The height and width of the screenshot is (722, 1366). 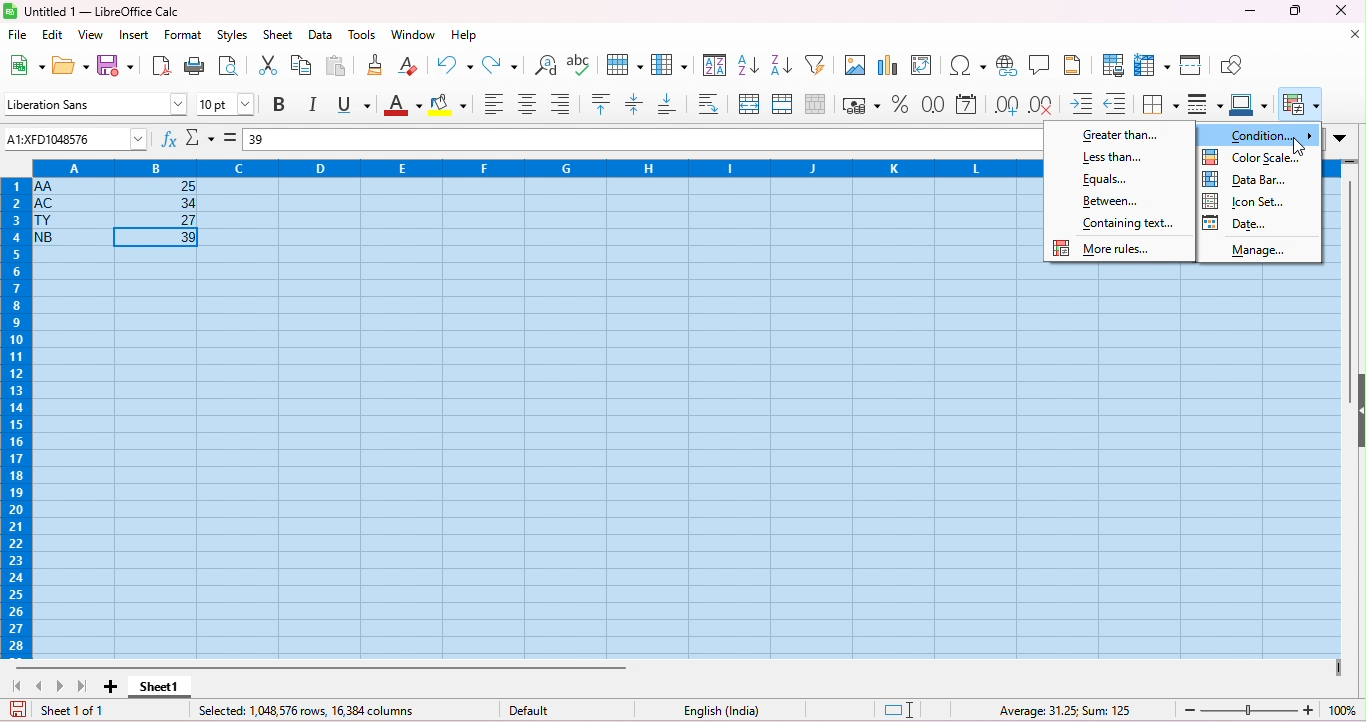 What do you see at coordinates (1342, 137) in the screenshot?
I see `drop down` at bounding box center [1342, 137].